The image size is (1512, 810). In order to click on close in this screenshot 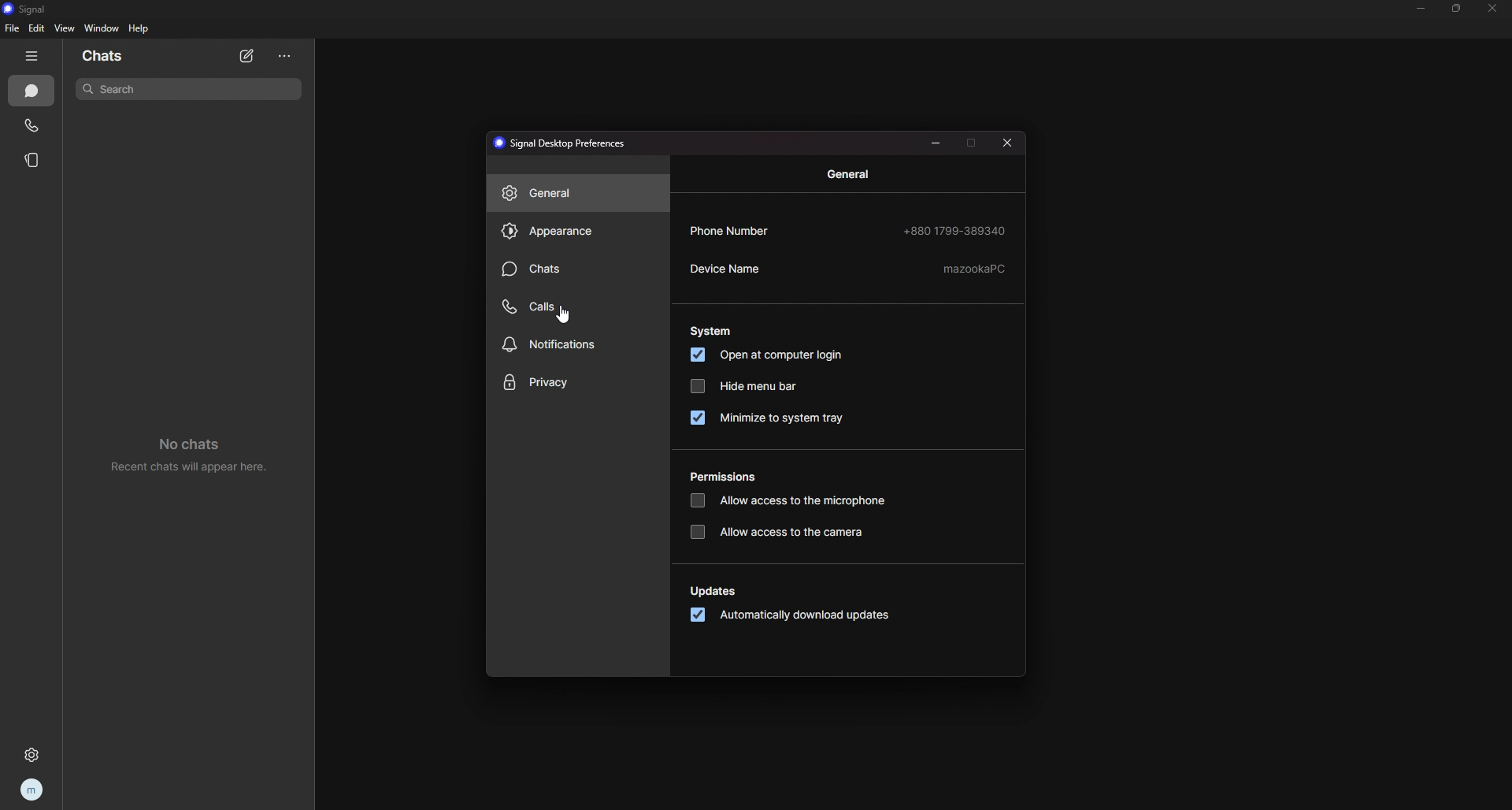, I will do `click(1492, 9)`.